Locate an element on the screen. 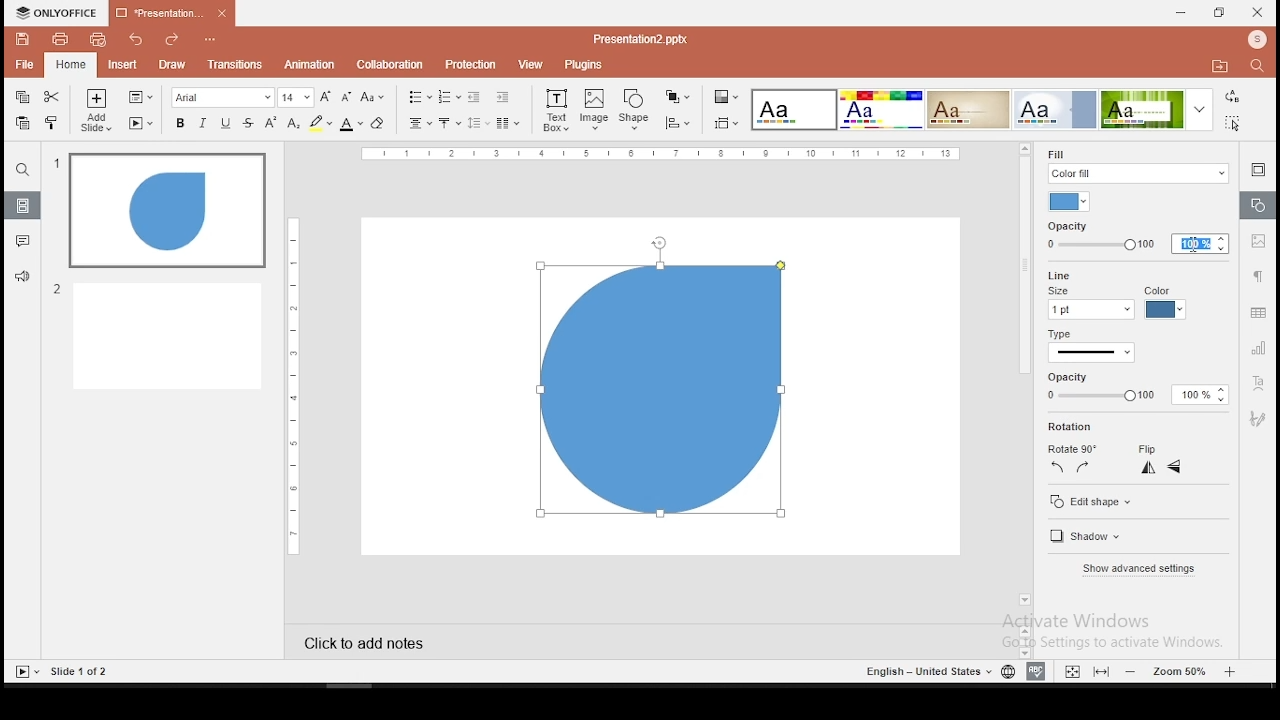 The image size is (1280, 720). line color is located at coordinates (1164, 303).